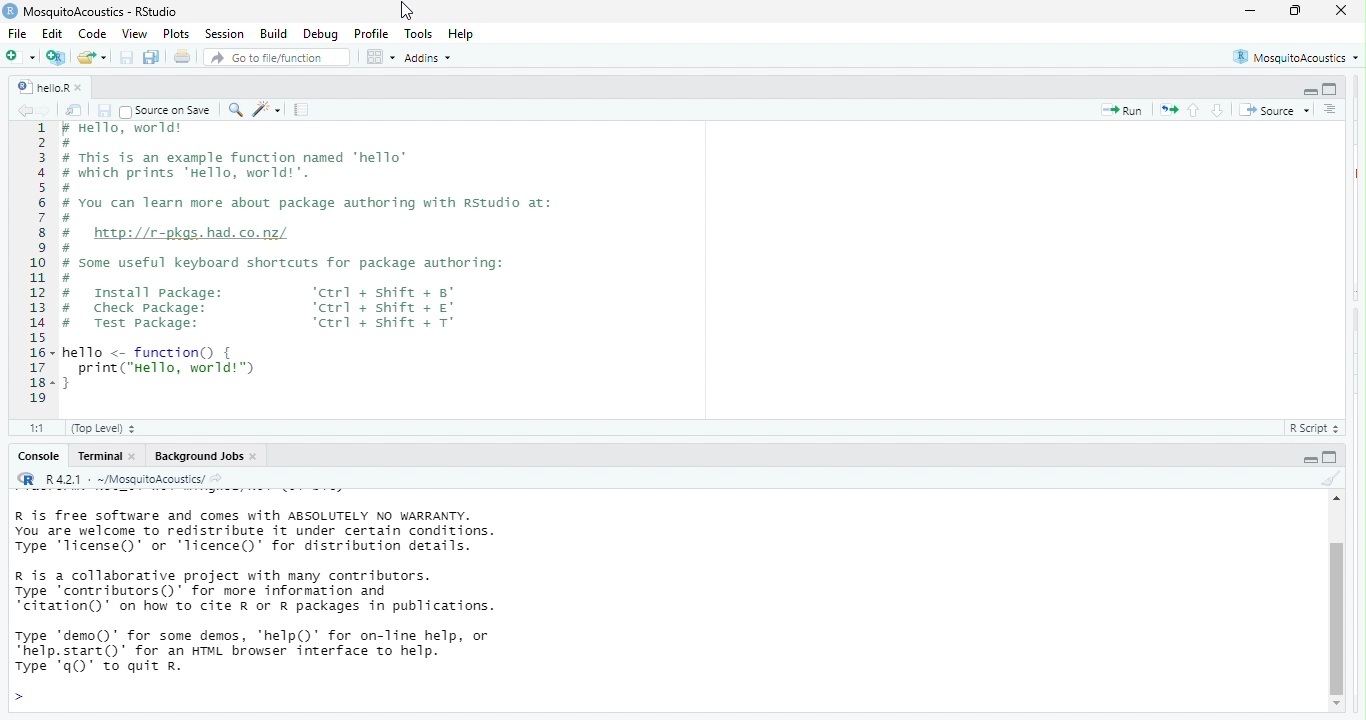  Describe the element at coordinates (1196, 111) in the screenshot. I see `go to previous section/chunk` at that location.